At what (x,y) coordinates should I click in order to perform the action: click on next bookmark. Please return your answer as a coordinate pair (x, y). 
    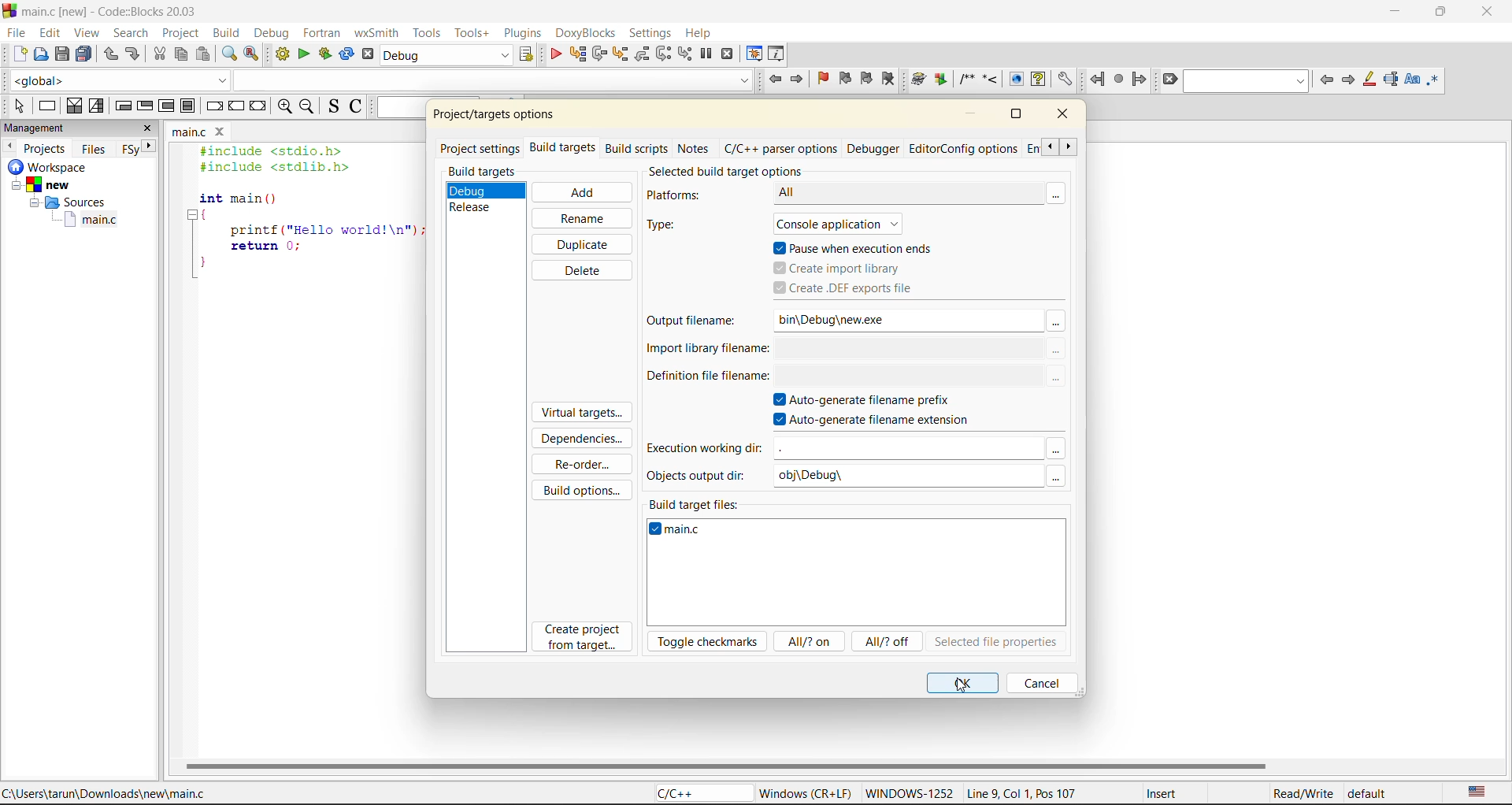
    Looking at the image, I should click on (865, 77).